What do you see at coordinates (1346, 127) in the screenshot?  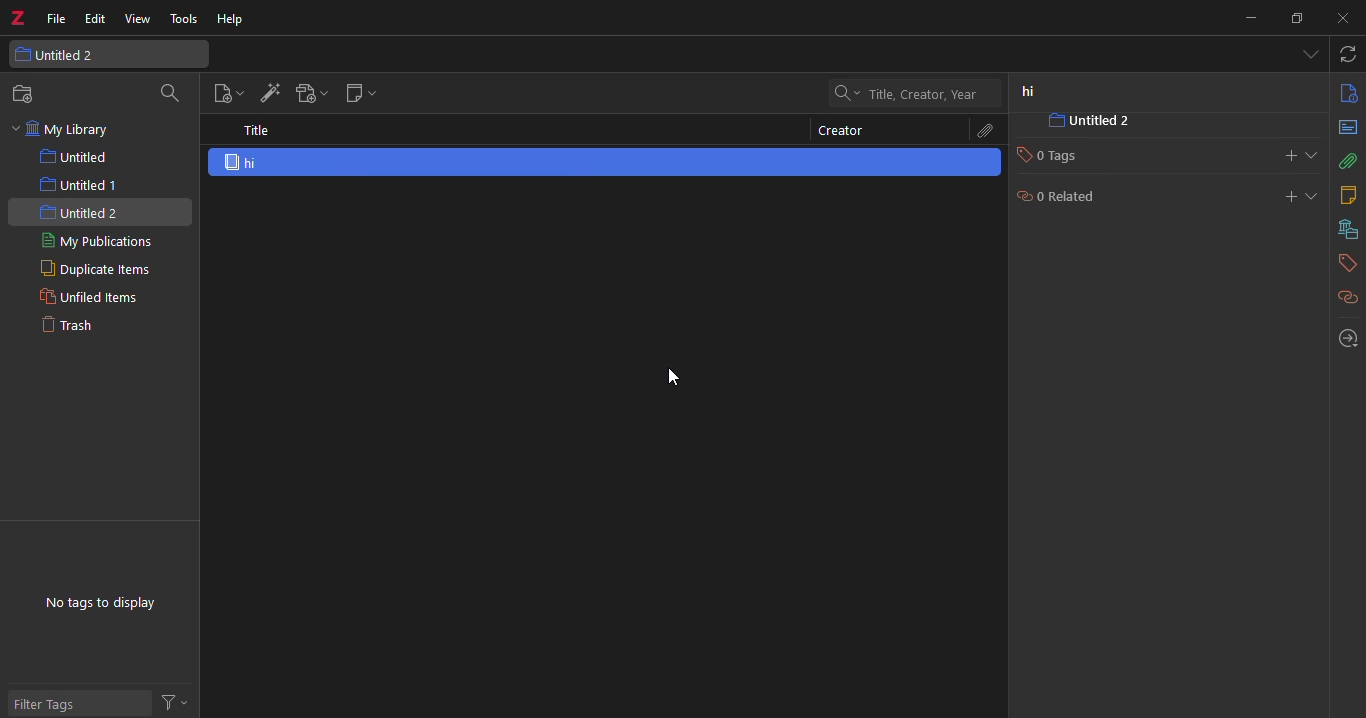 I see `abstract` at bounding box center [1346, 127].